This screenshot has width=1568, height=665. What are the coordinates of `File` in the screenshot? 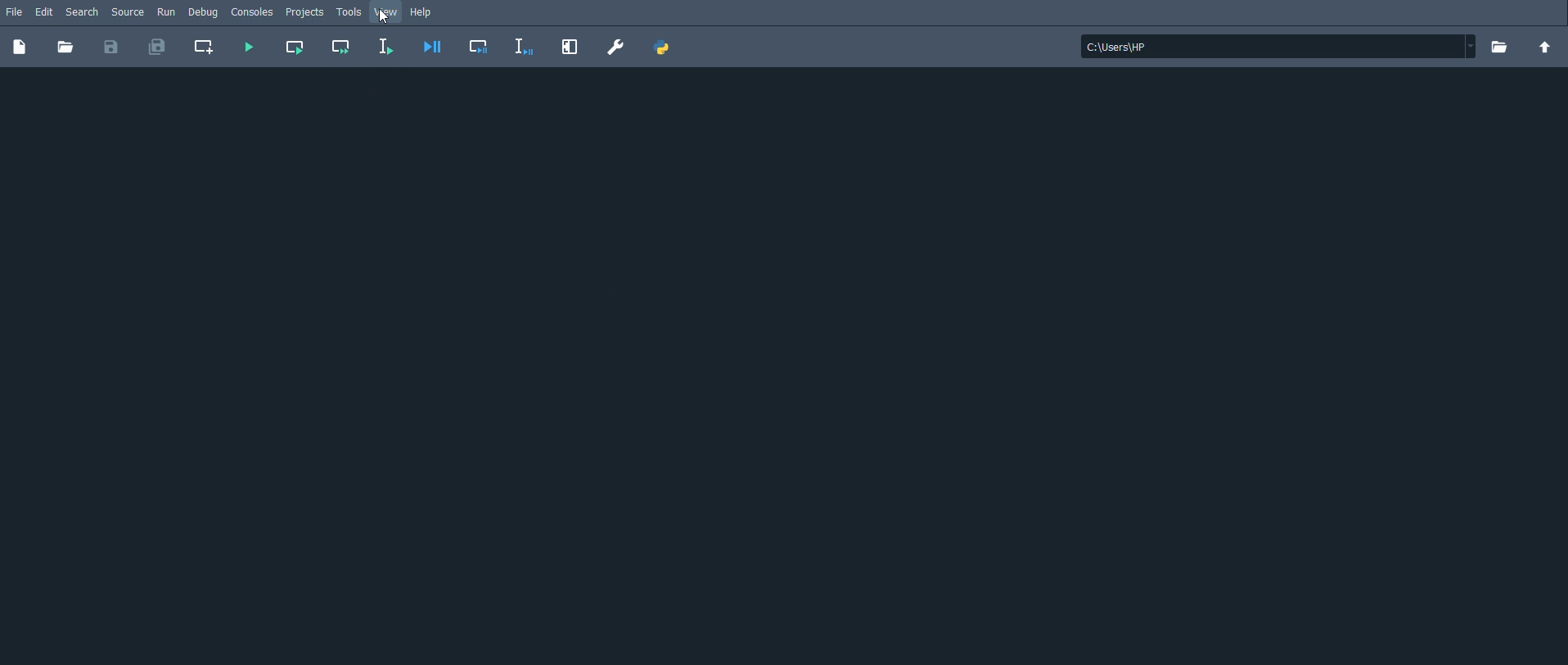 It's located at (14, 11).